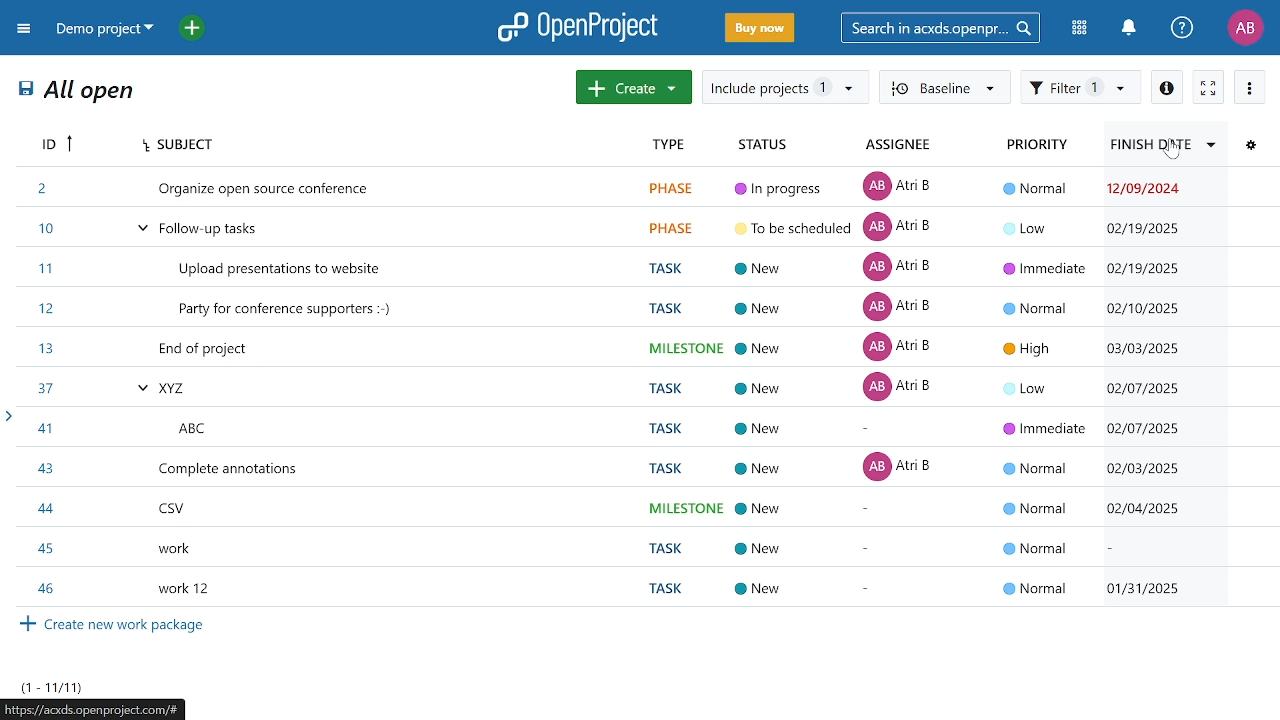 This screenshot has width=1280, height=720. What do you see at coordinates (370, 145) in the screenshot?
I see `subject` at bounding box center [370, 145].